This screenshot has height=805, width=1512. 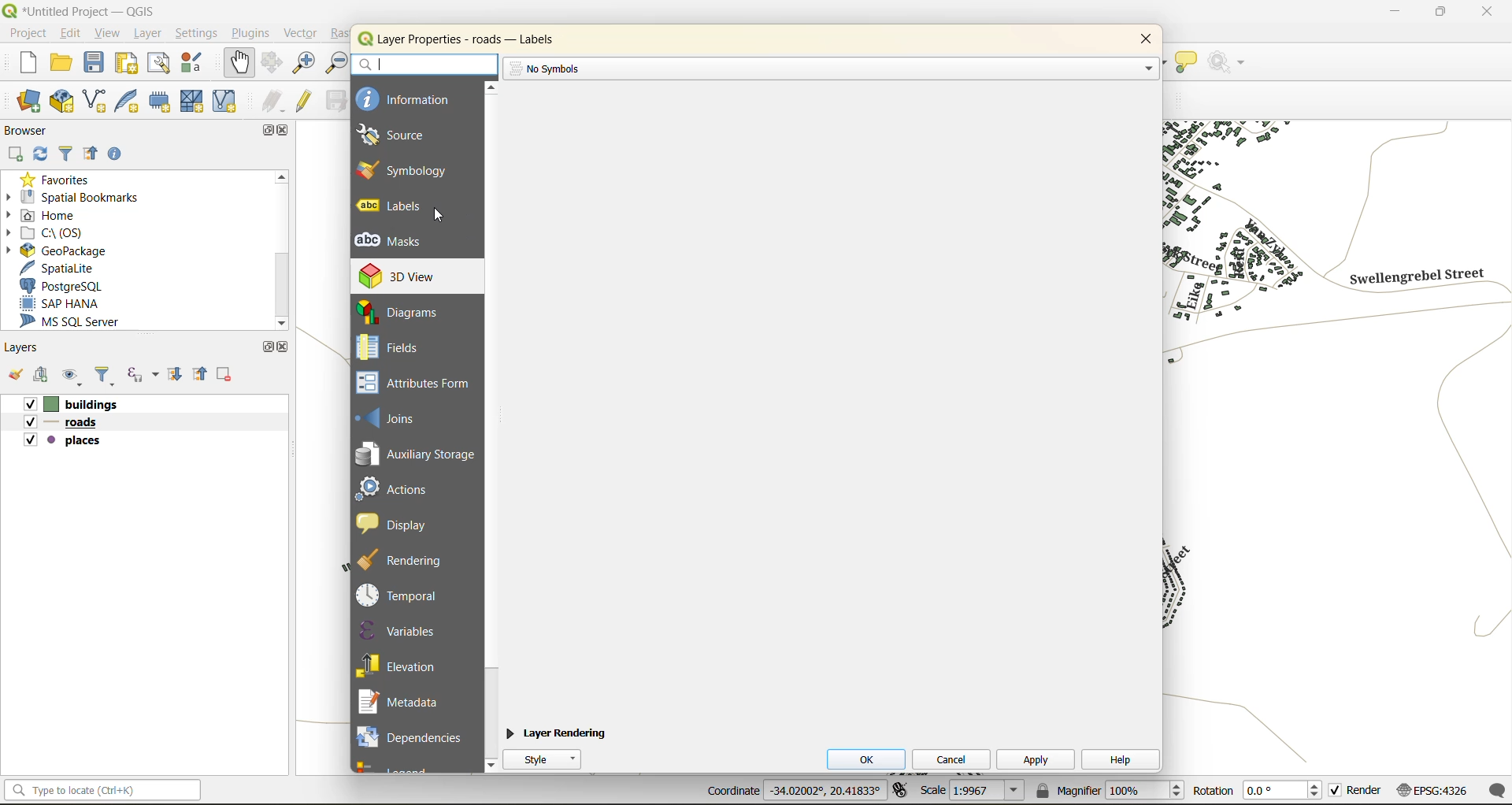 I want to click on vector, so click(x=305, y=34).